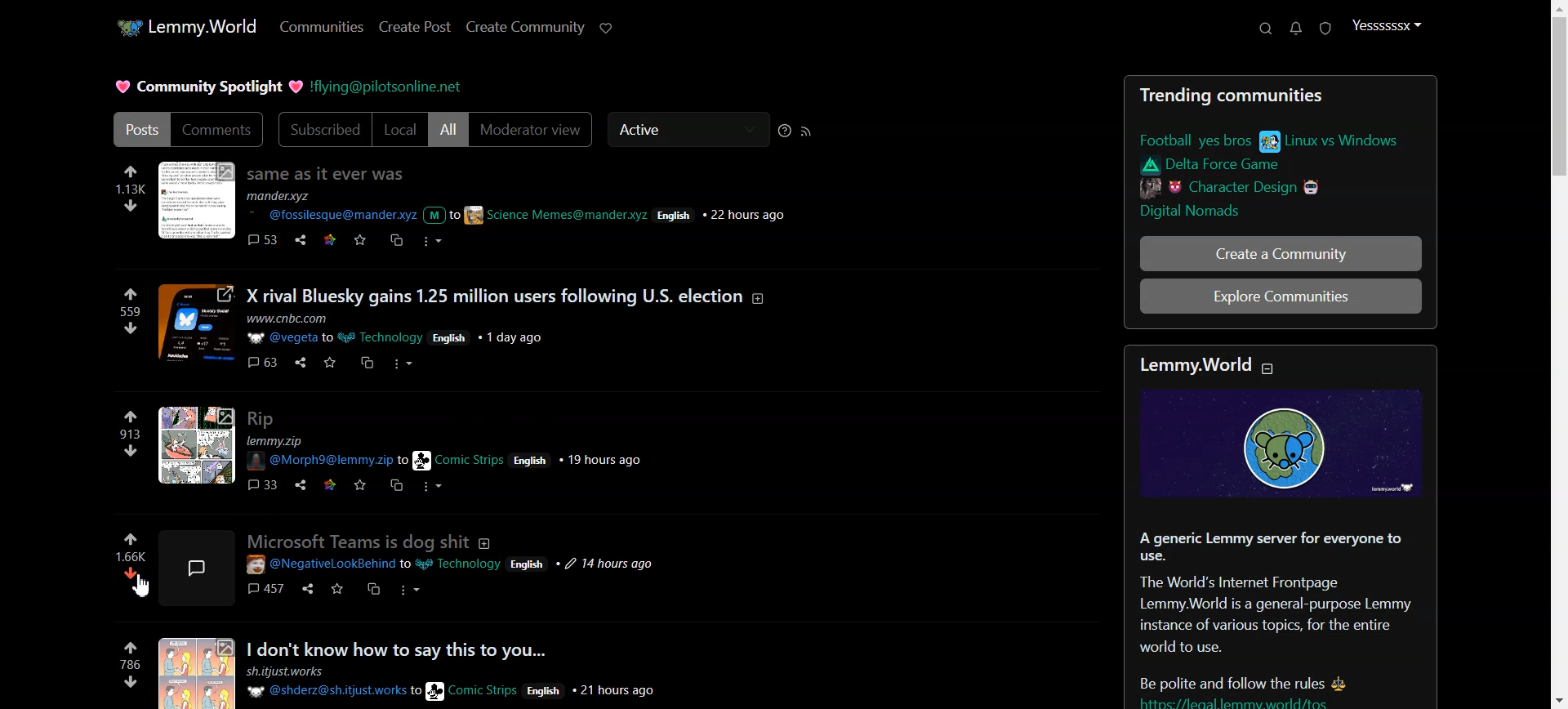 This screenshot has height=709, width=1568. What do you see at coordinates (806, 132) in the screenshot?
I see `RSS` at bounding box center [806, 132].